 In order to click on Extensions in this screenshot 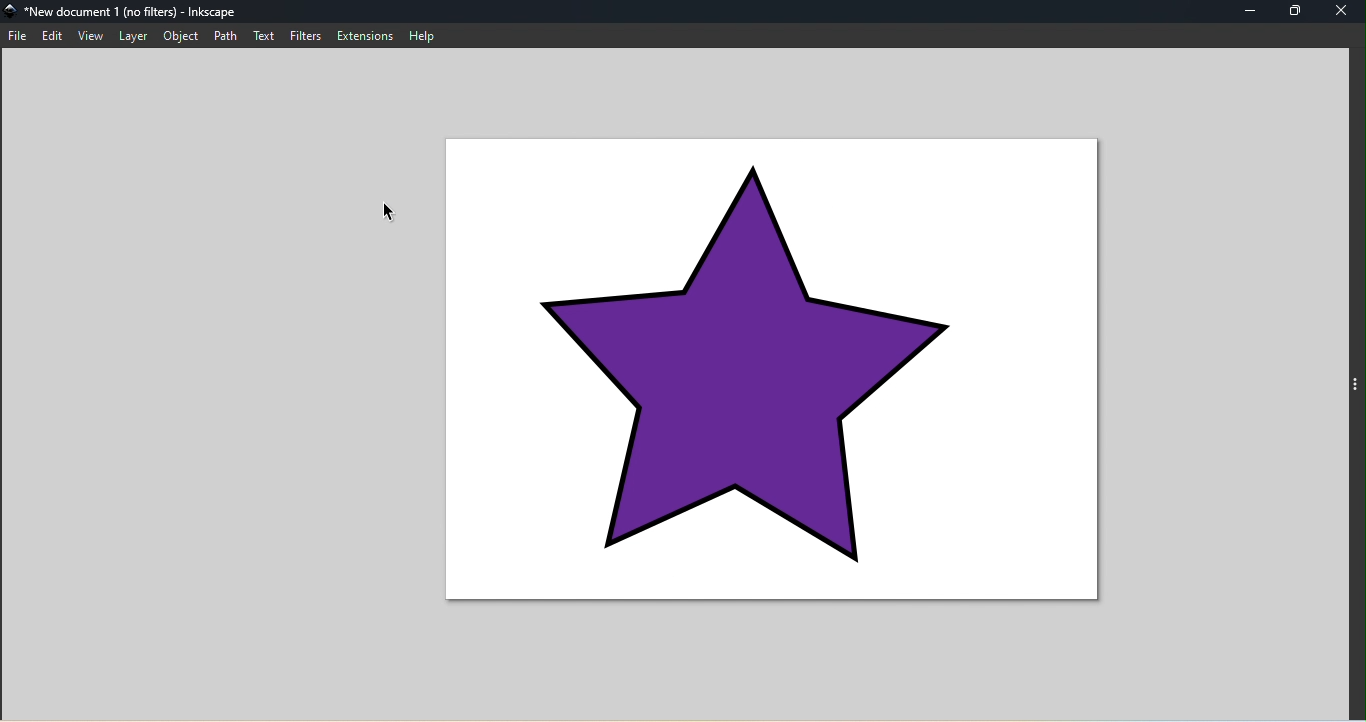, I will do `click(365, 34)`.